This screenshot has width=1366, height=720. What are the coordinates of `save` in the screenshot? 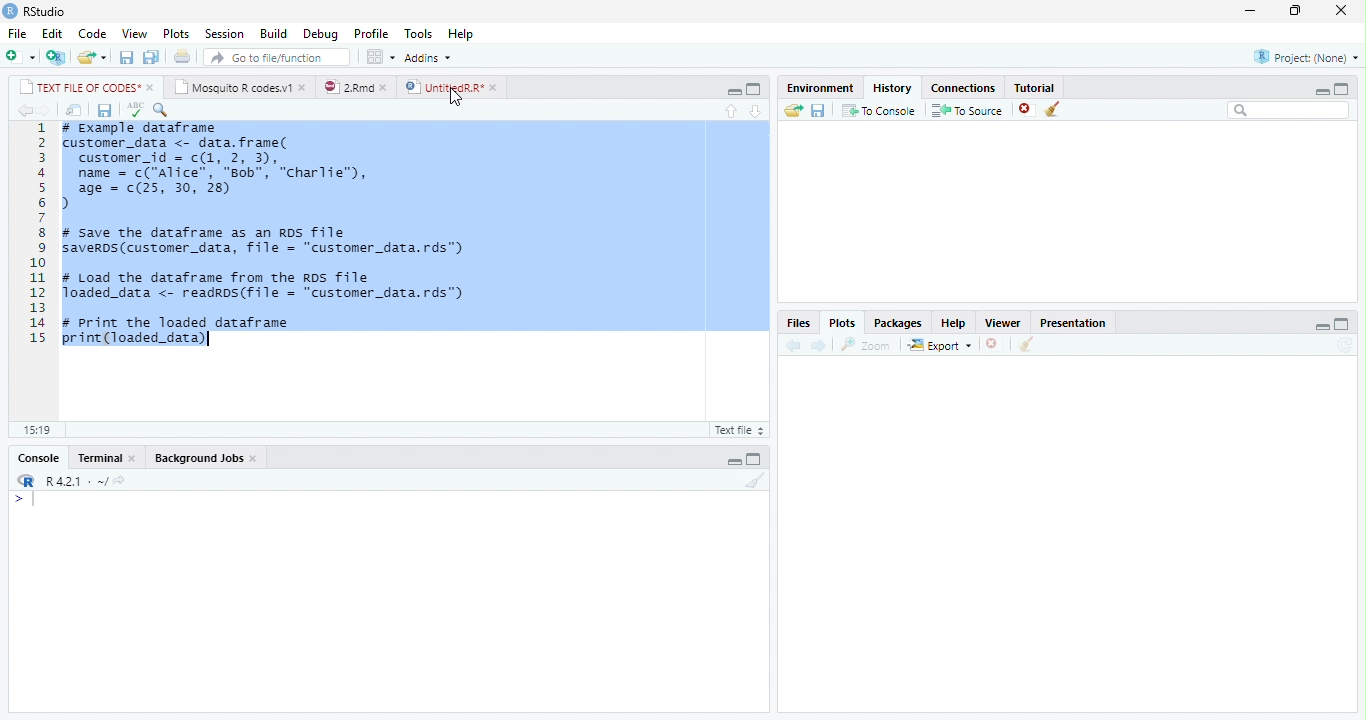 It's located at (819, 111).